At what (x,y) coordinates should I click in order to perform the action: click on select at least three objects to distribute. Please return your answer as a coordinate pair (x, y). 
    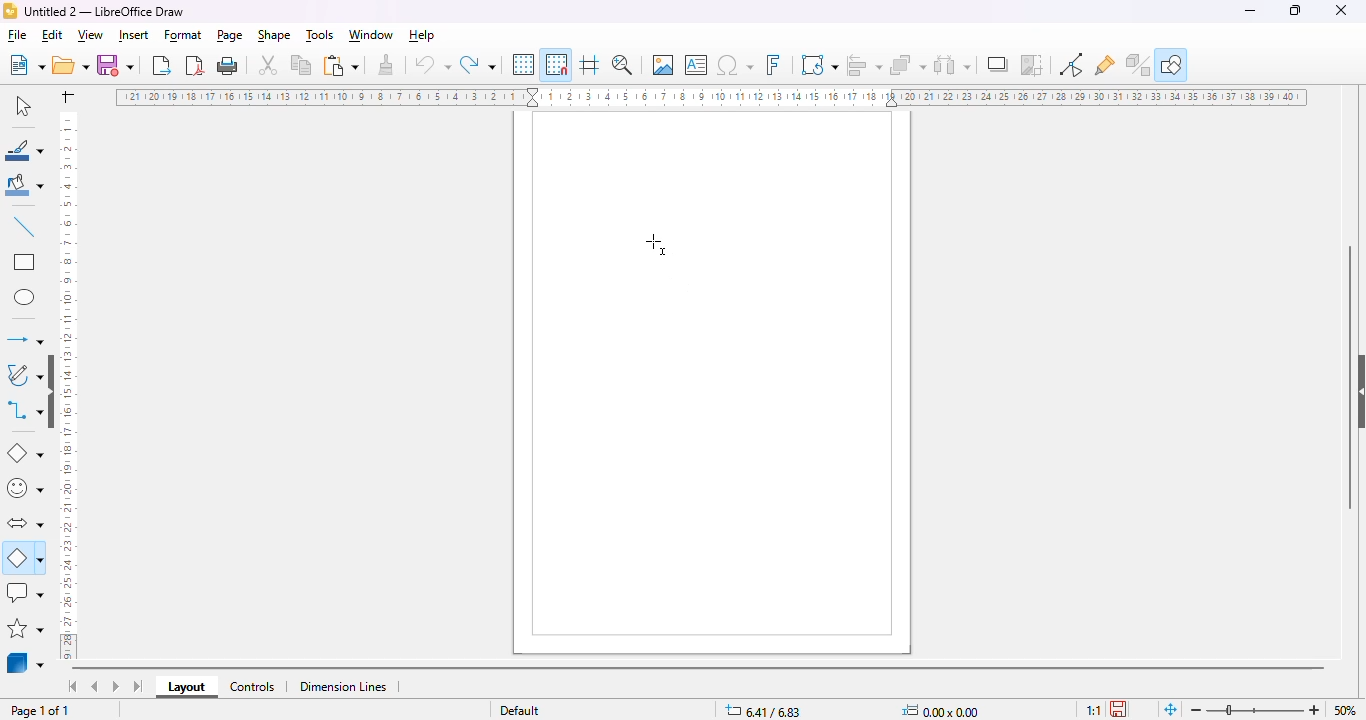
    Looking at the image, I should click on (954, 65).